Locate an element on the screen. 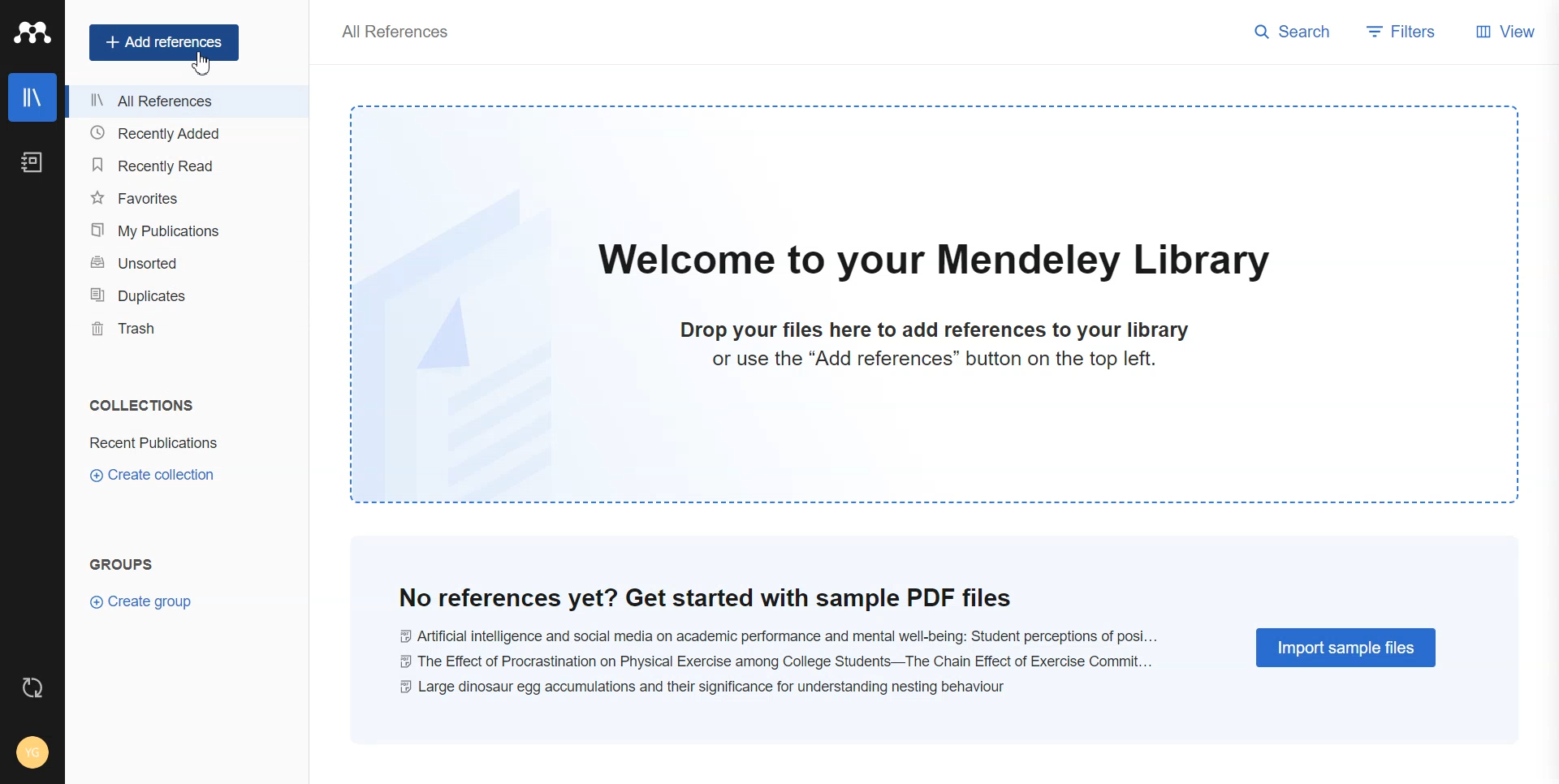  Filters is located at coordinates (1400, 32).